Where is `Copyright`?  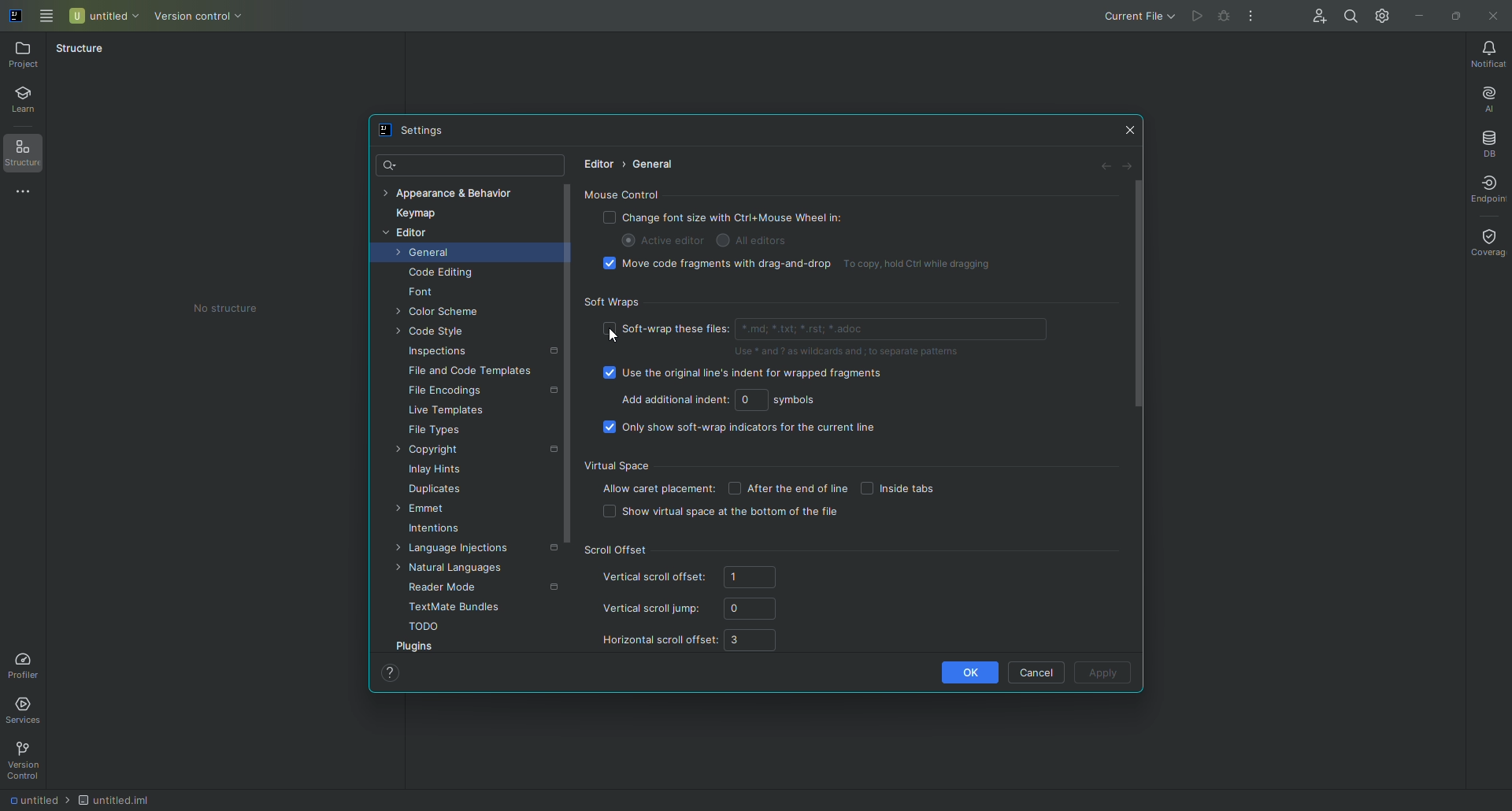 Copyright is located at coordinates (431, 450).